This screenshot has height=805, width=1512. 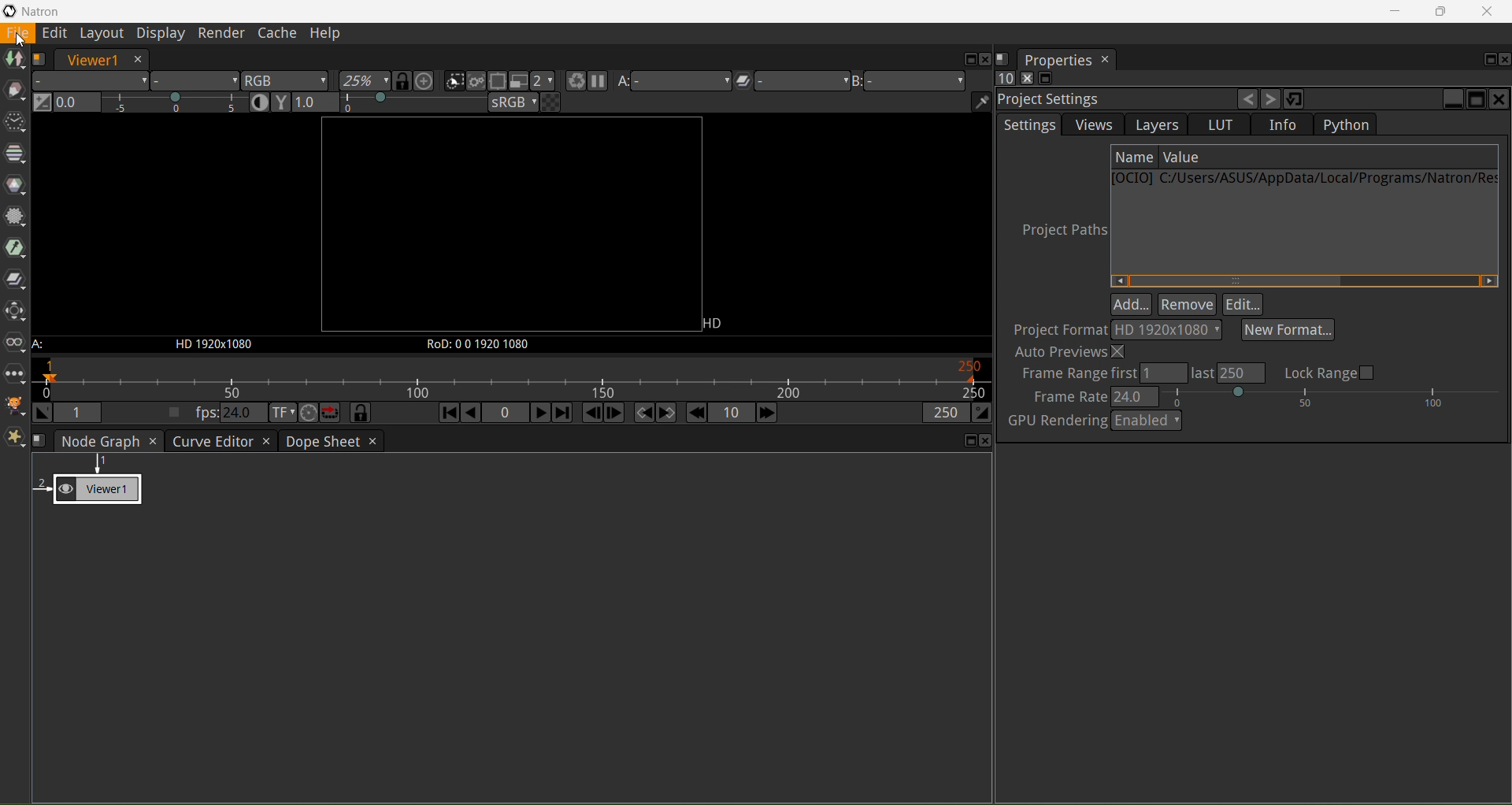 I want to click on Manage the layouts for this pane, so click(x=43, y=442).